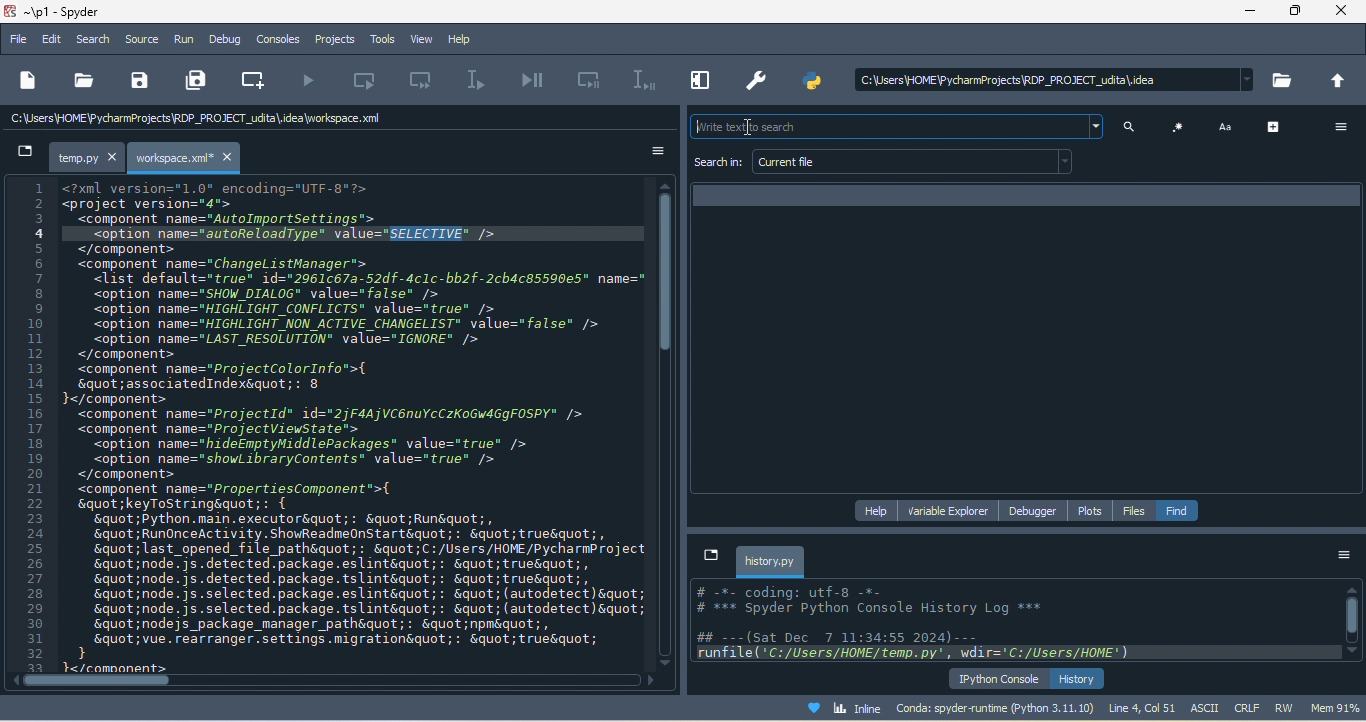 The width and height of the screenshot is (1366, 722). What do you see at coordinates (1142, 707) in the screenshot?
I see `line 4, col51` at bounding box center [1142, 707].